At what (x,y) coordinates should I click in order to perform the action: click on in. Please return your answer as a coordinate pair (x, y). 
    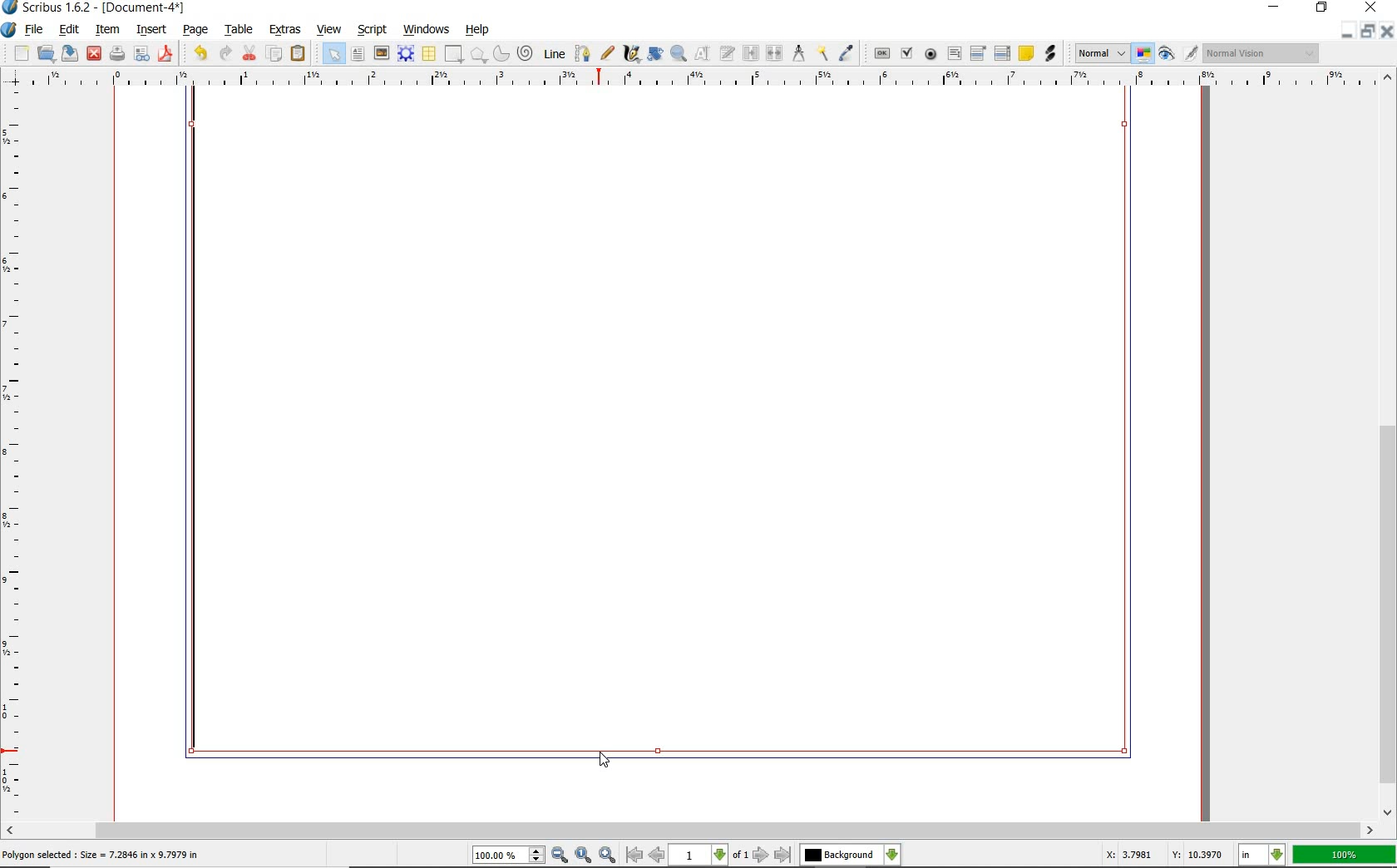
    Looking at the image, I should click on (1262, 855).